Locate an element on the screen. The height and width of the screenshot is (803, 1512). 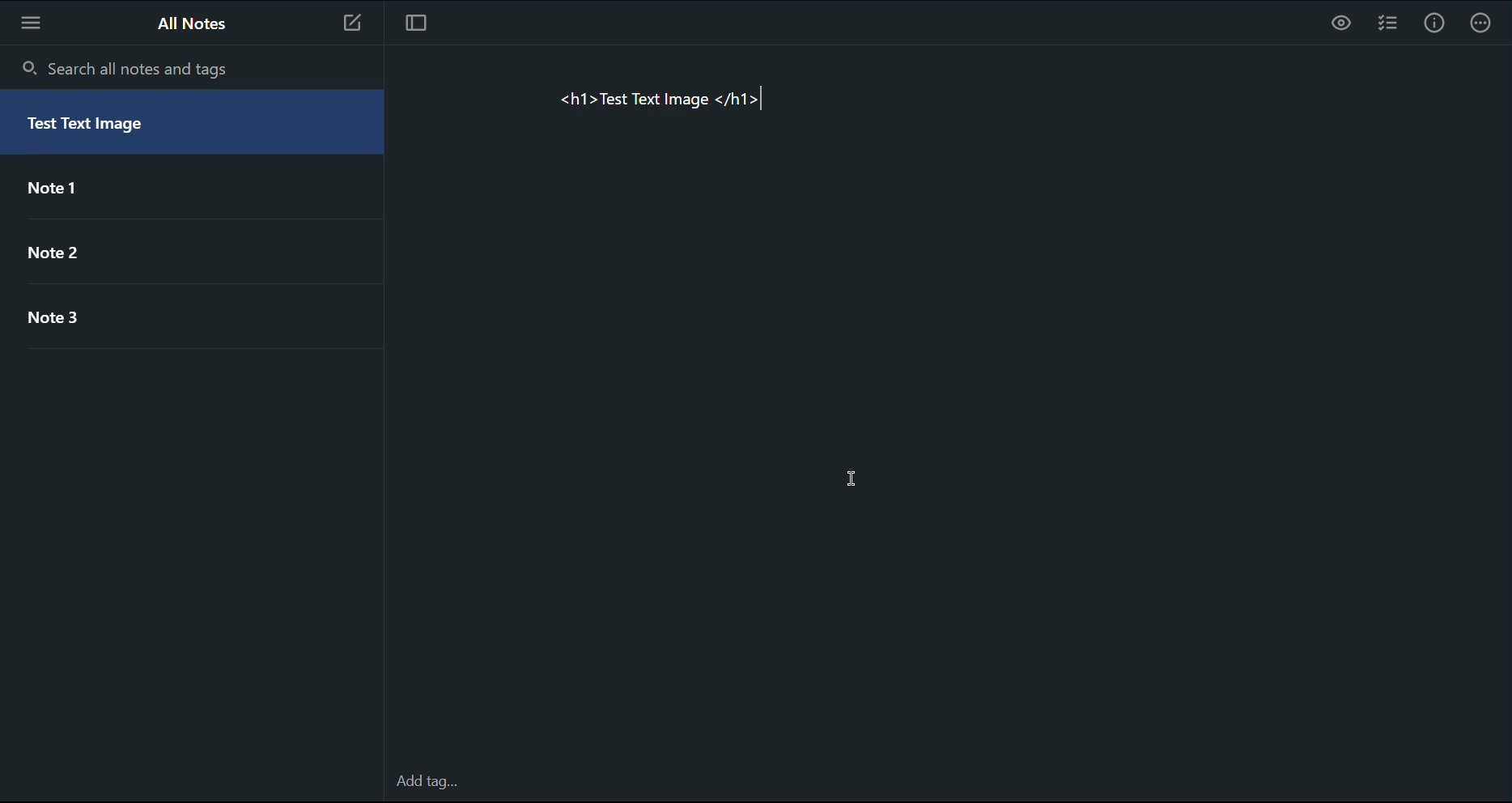
Test Text Image is located at coordinates (108, 129).